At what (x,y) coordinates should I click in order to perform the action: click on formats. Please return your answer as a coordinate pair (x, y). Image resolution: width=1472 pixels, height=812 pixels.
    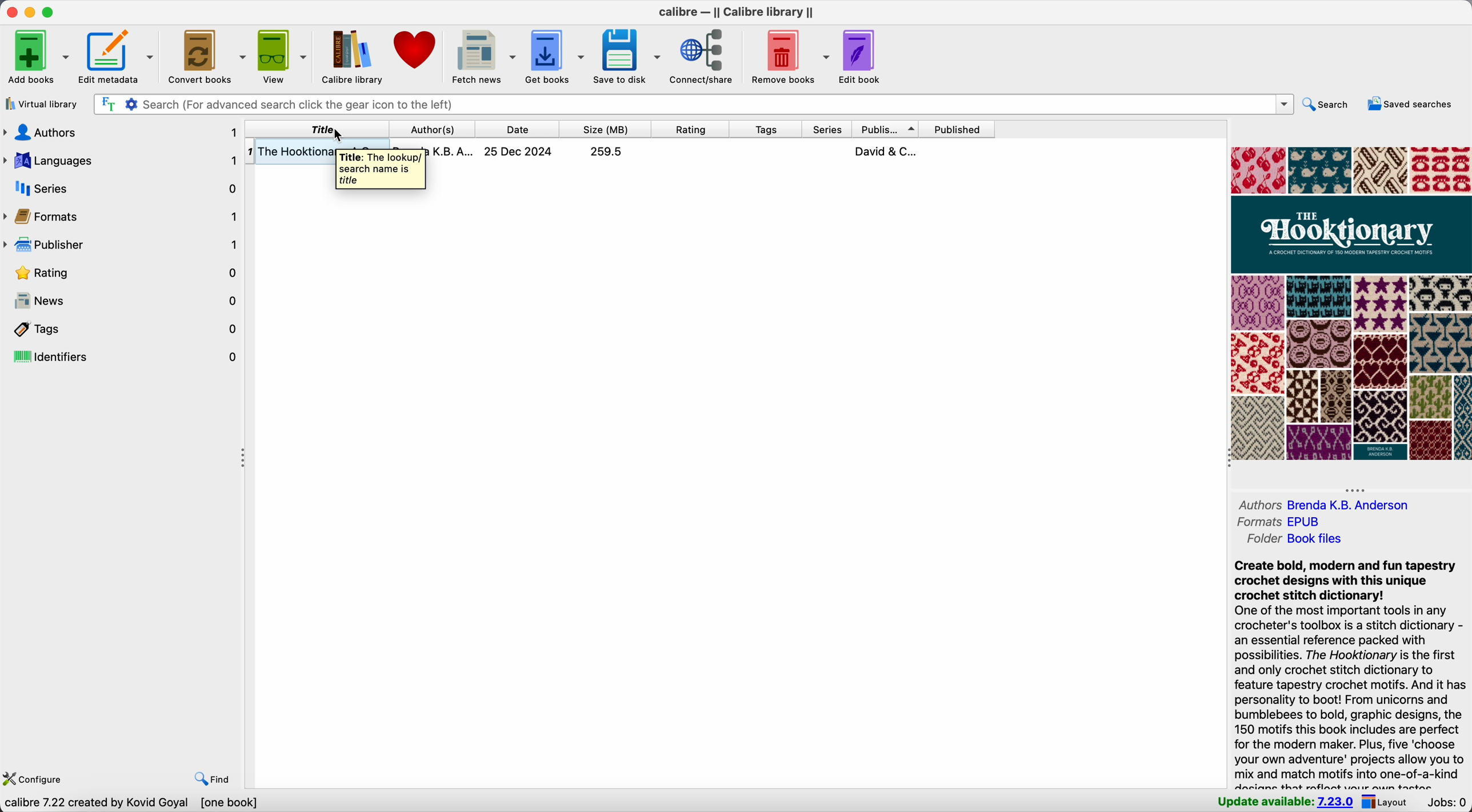
    Looking at the image, I should click on (123, 219).